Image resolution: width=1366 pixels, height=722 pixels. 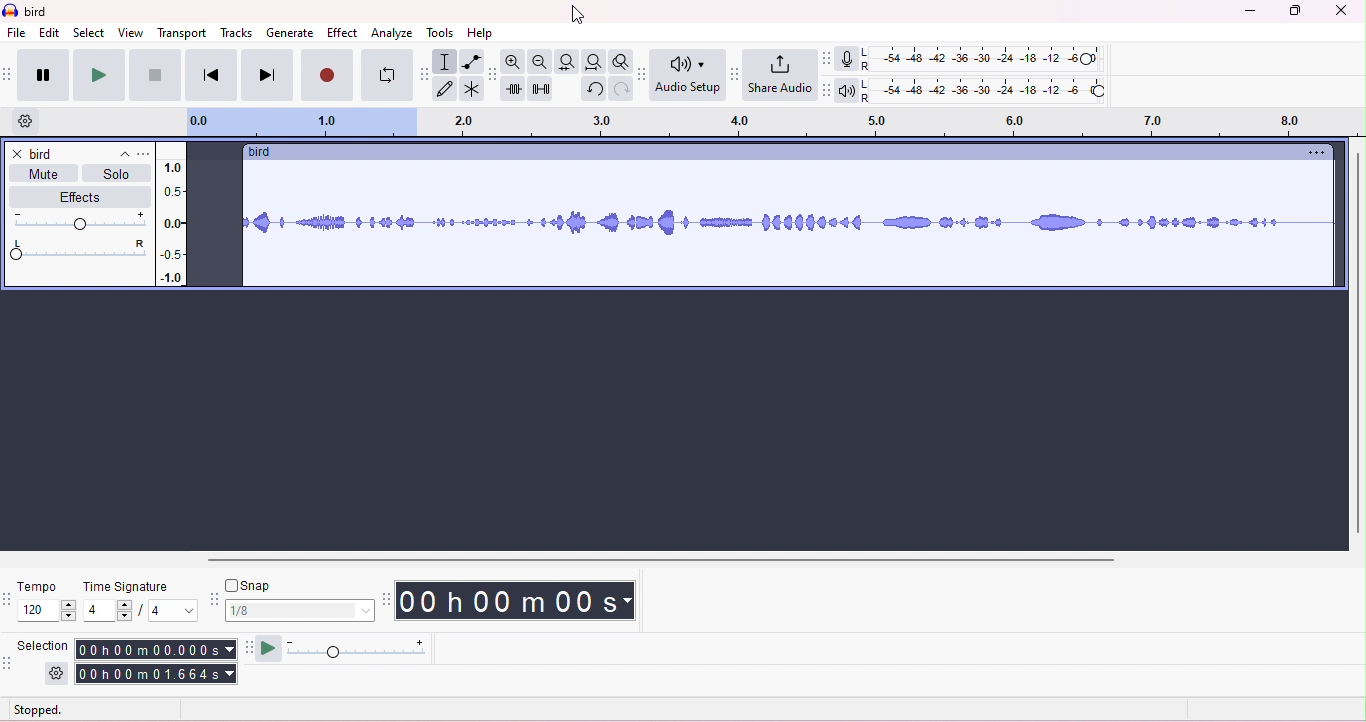 What do you see at coordinates (9, 75) in the screenshot?
I see `transport tool` at bounding box center [9, 75].